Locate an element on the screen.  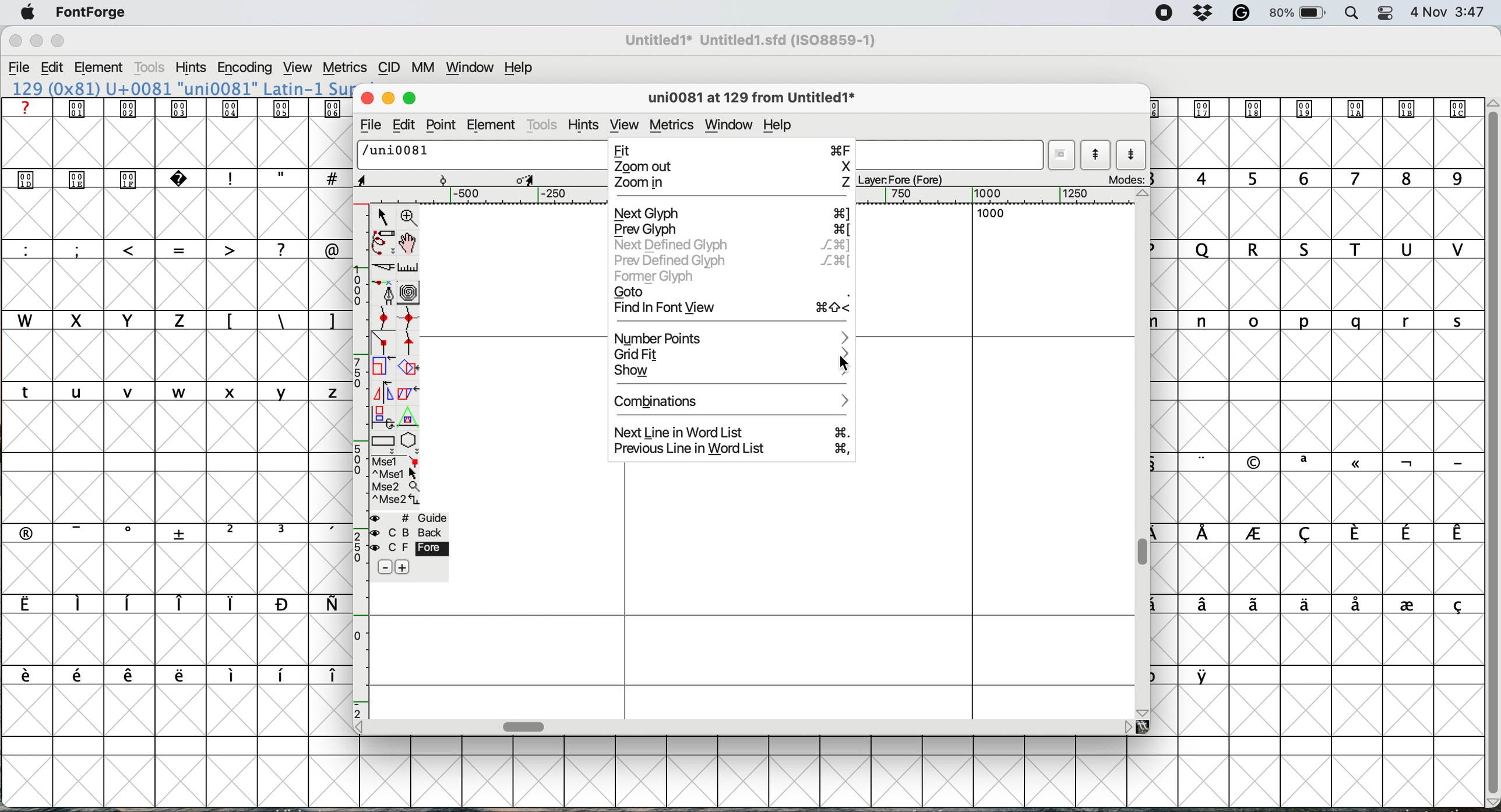
help is located at coordinates (778, 125).